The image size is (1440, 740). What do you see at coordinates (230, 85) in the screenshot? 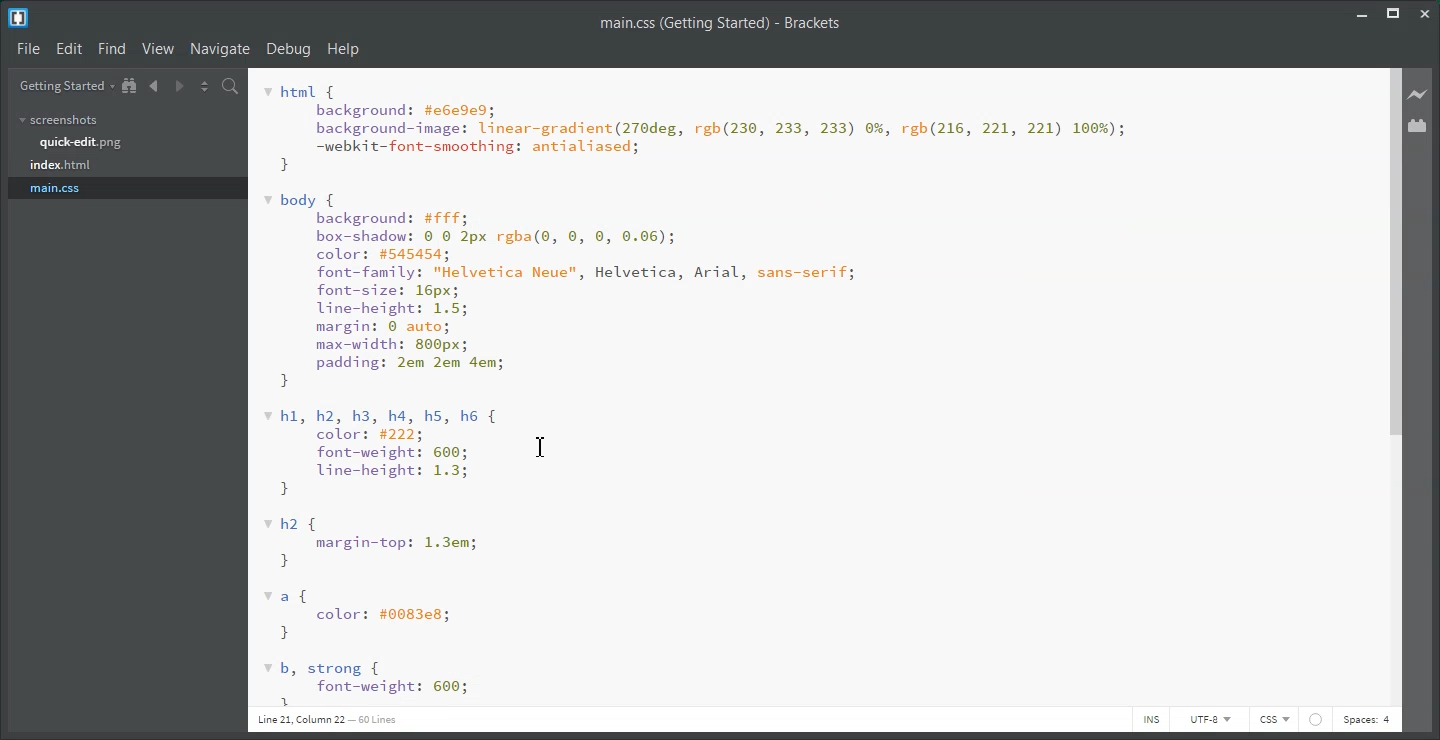
I see `Find In files` at bounding box center [230, 85].